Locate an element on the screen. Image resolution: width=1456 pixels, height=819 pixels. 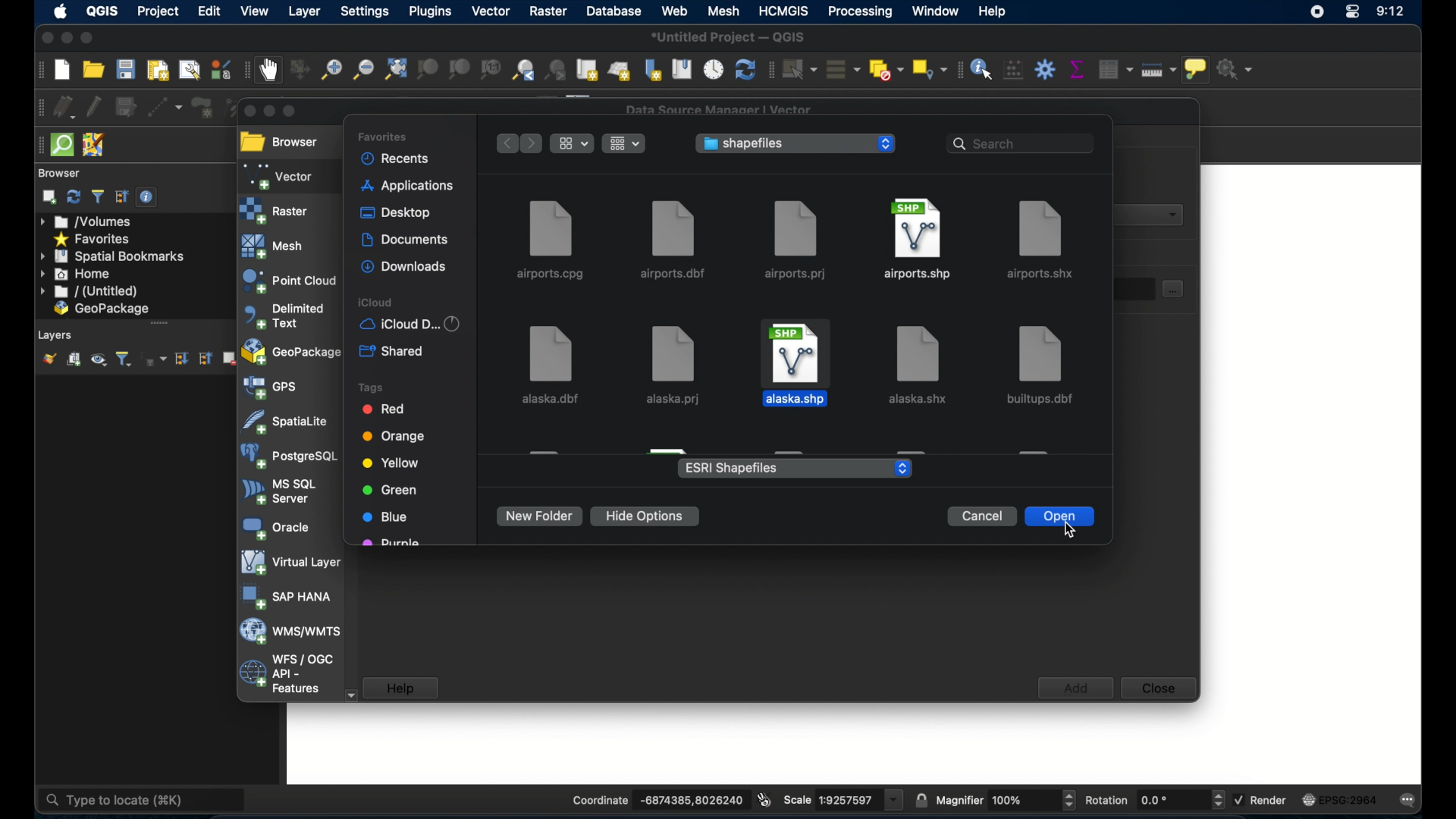
lock scale is located at coordinates (918, 799).